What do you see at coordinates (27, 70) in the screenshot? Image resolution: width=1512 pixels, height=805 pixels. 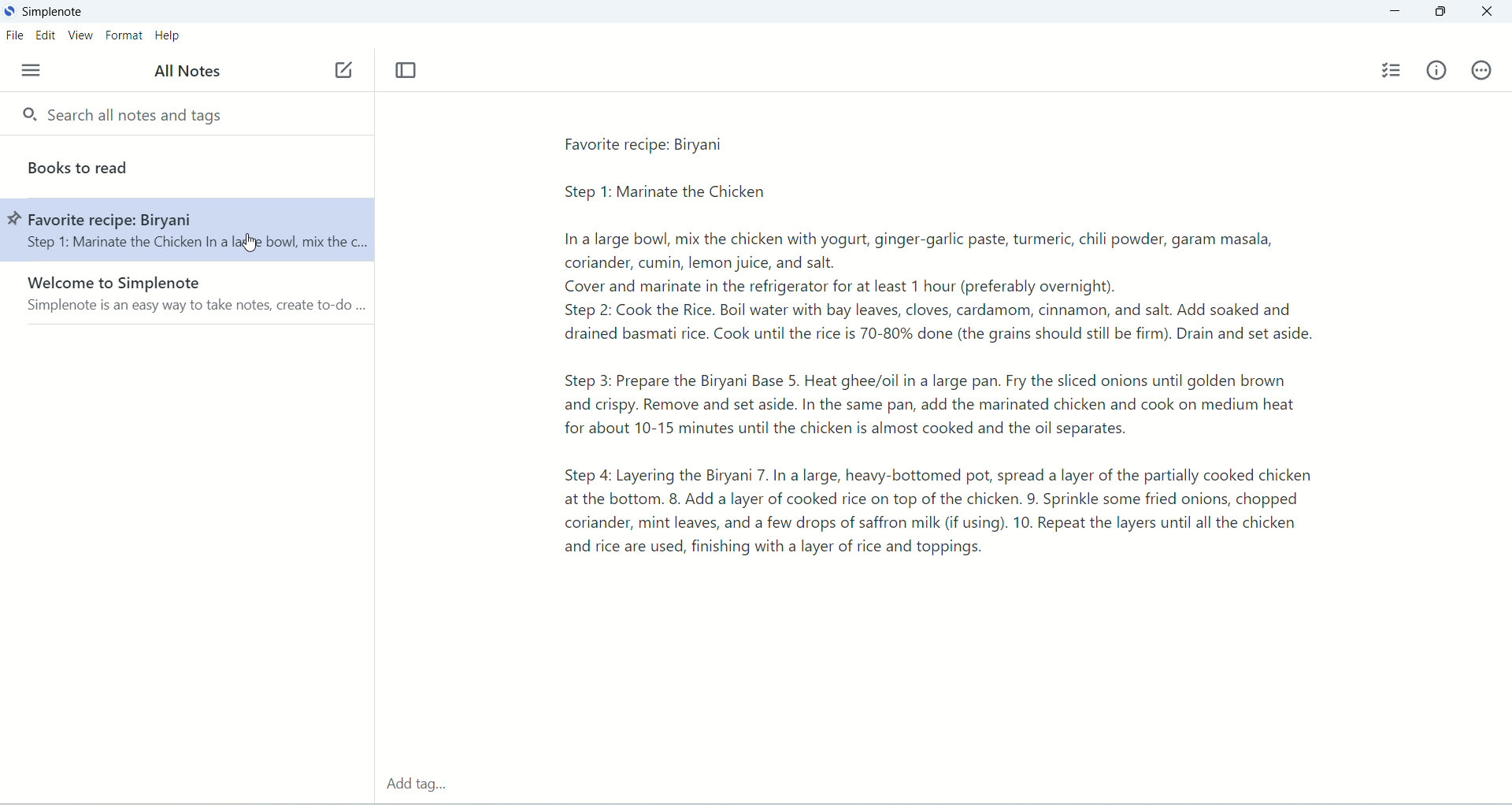 I see `menu` at bounding box center [27, 70].